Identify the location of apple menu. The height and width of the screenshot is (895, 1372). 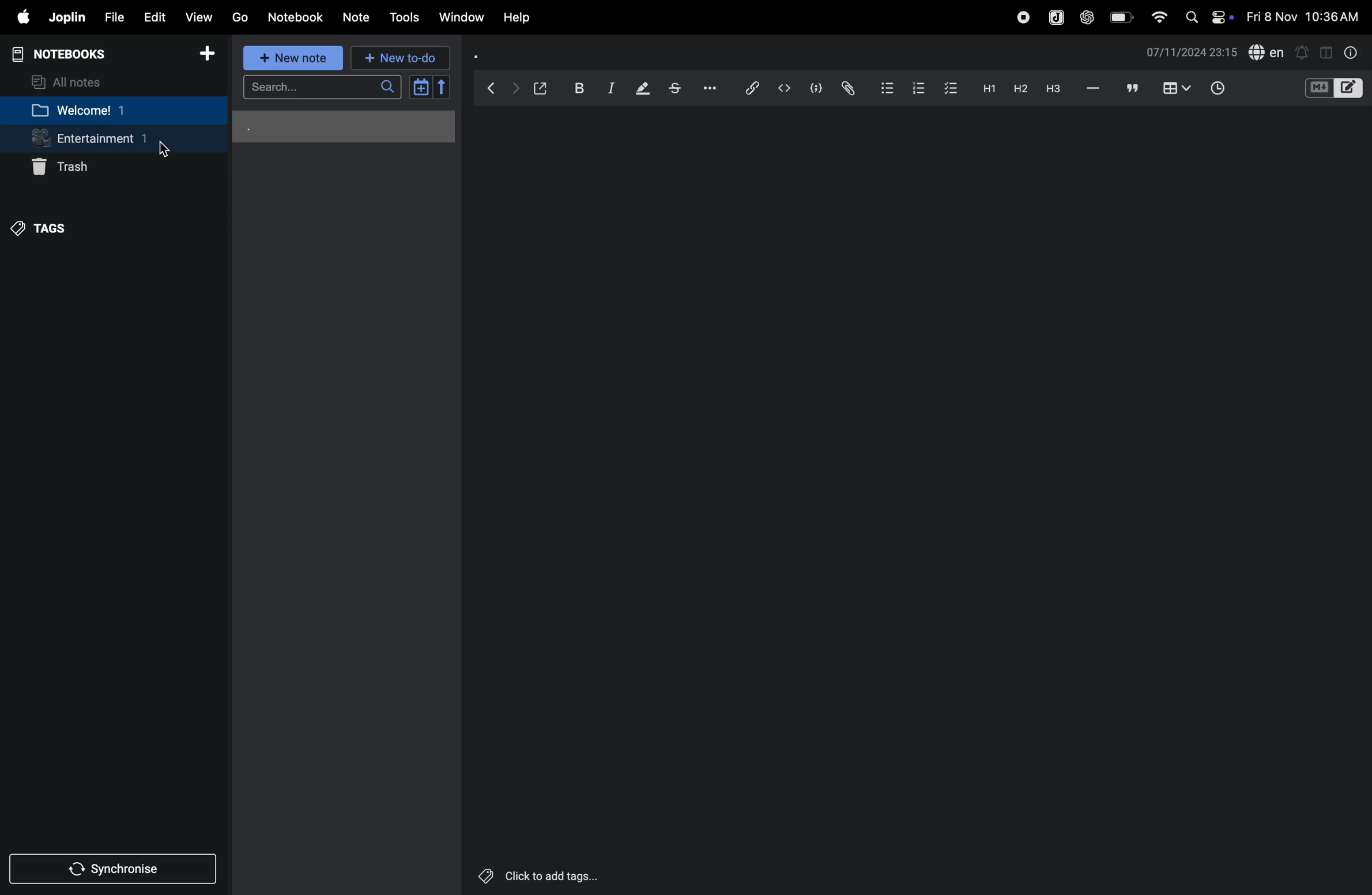
(21, 17).